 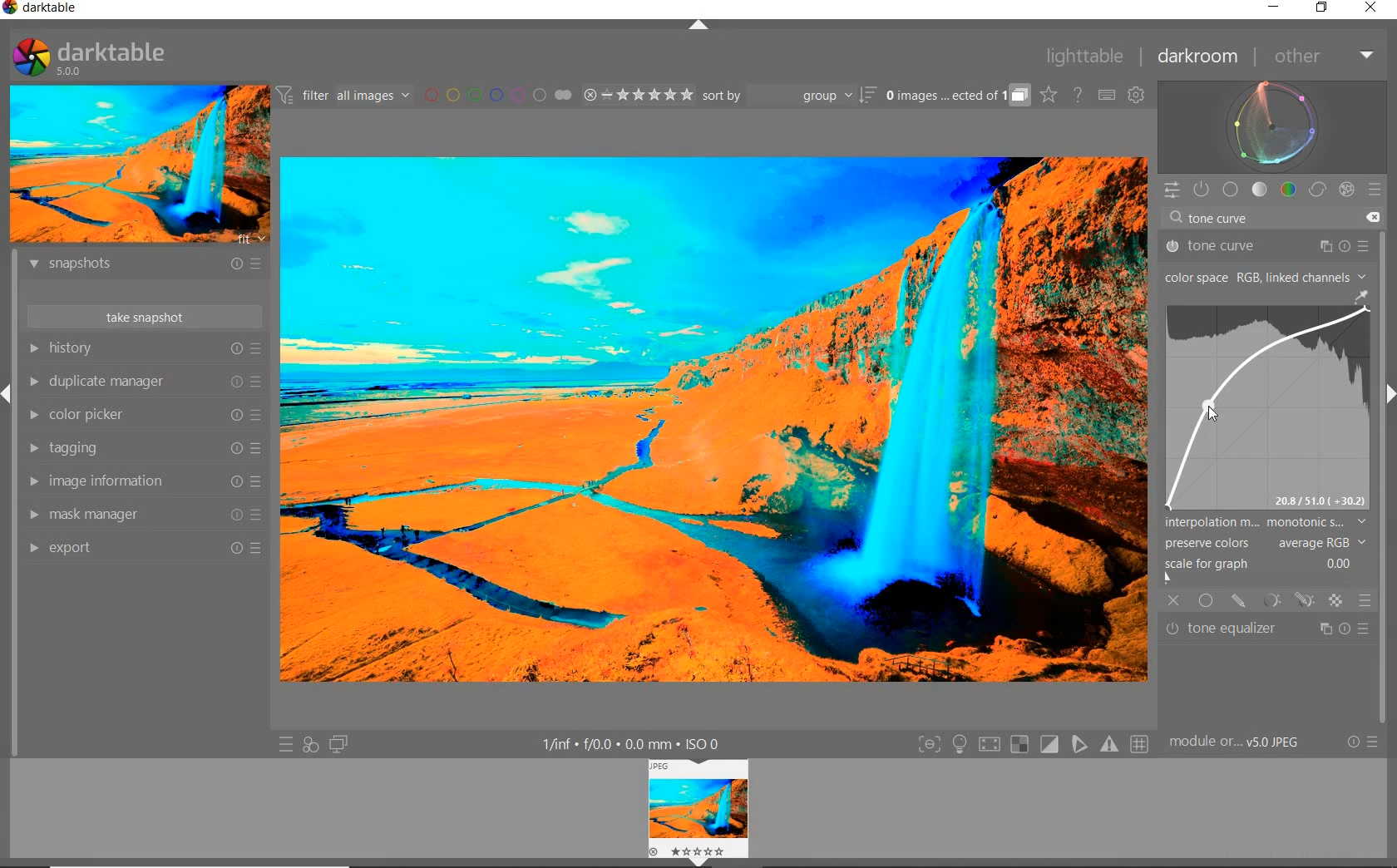 What do you see at coordinates (144, 381) in the screenshot?
I see `duplicate manager` at bounding box center [144, 381].